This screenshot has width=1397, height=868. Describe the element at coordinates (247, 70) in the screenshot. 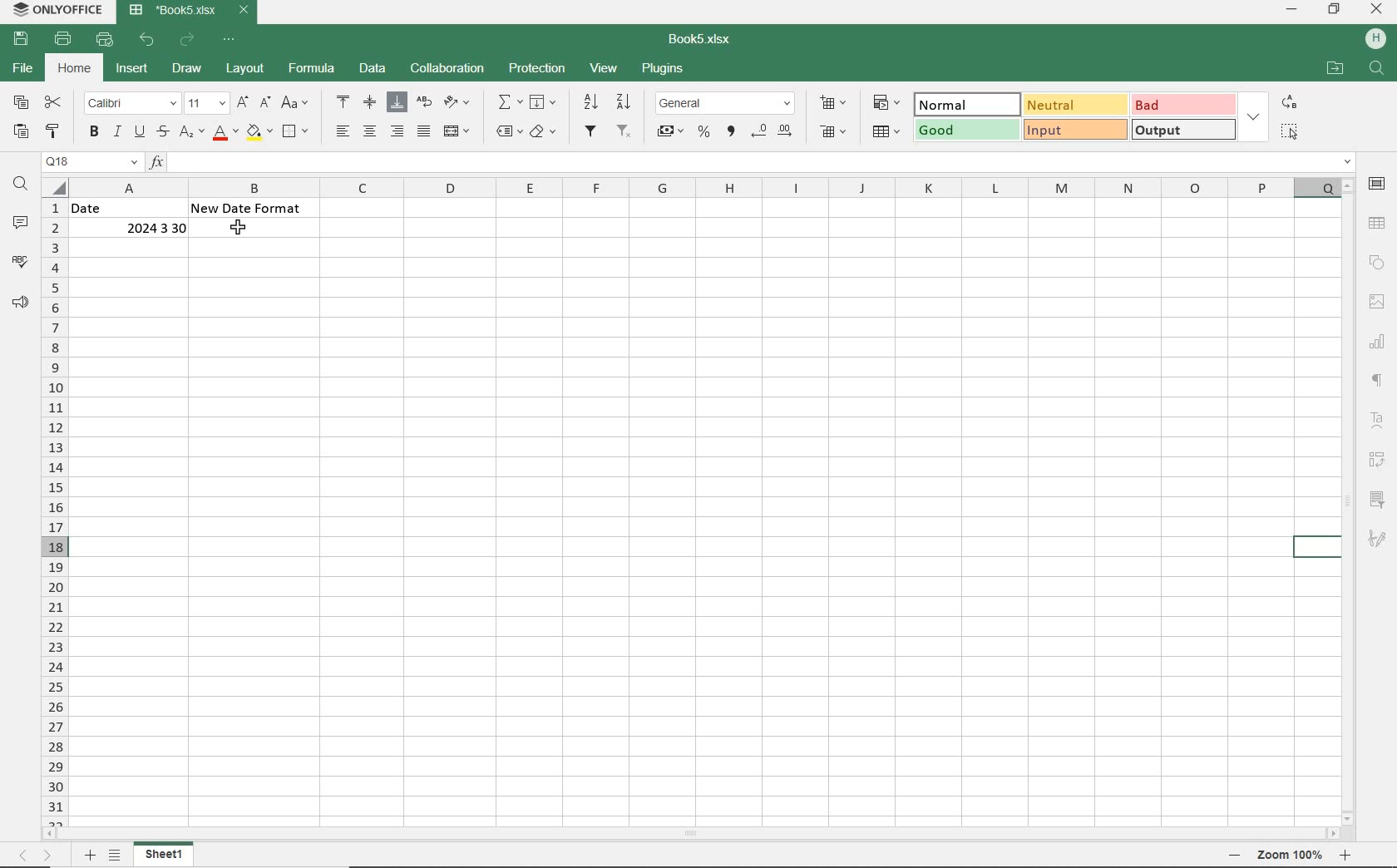

I see `LAYOUT` at that location.